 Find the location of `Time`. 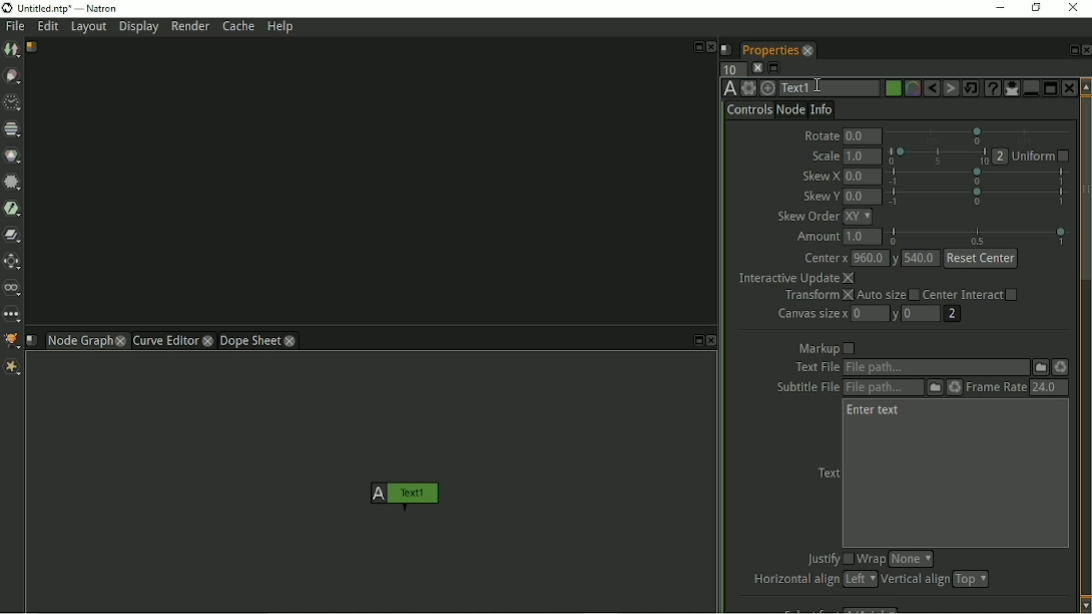

Time is located at coordinates (12, 103).